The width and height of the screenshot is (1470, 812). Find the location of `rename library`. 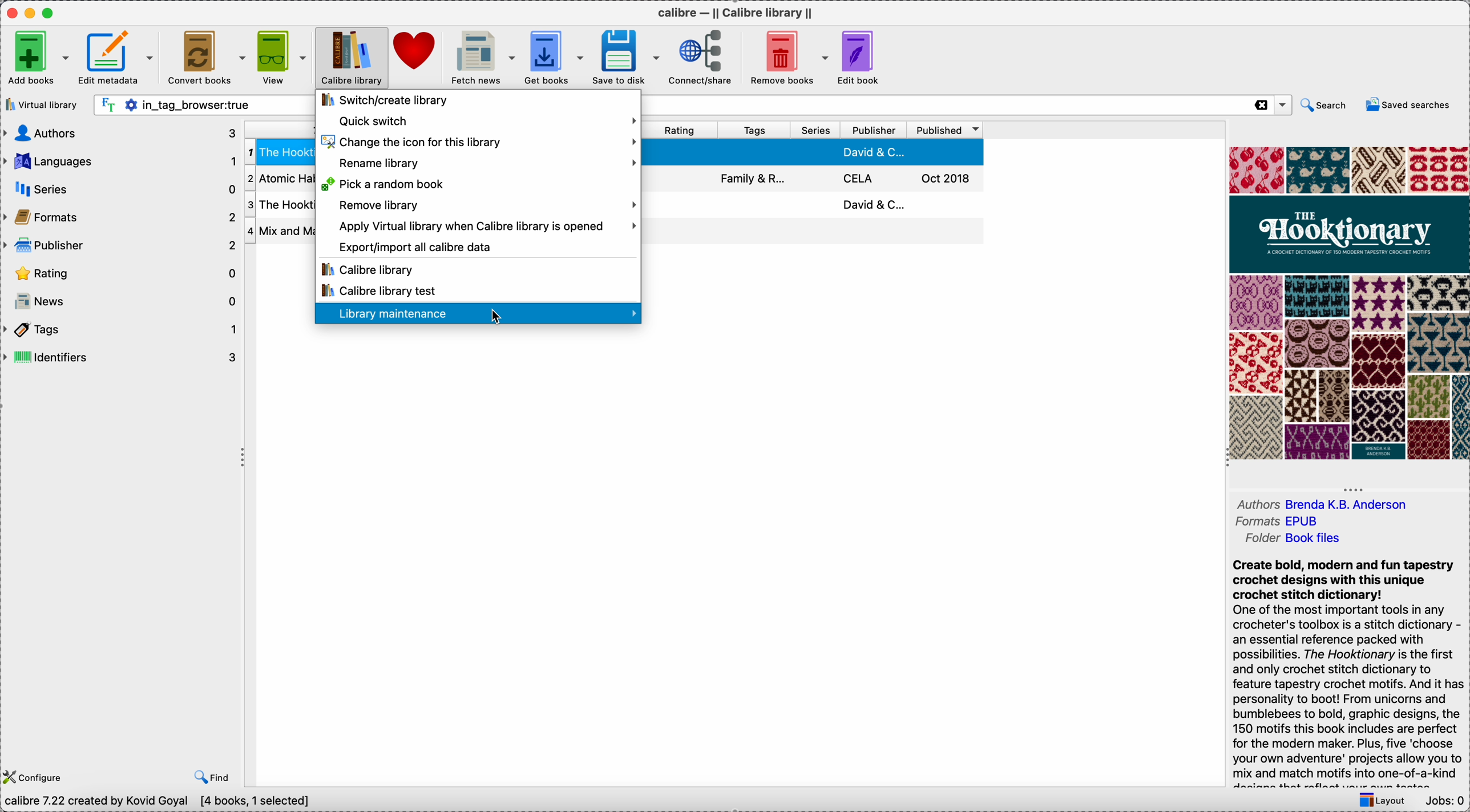

rename library is located at coordinates (490, 164).